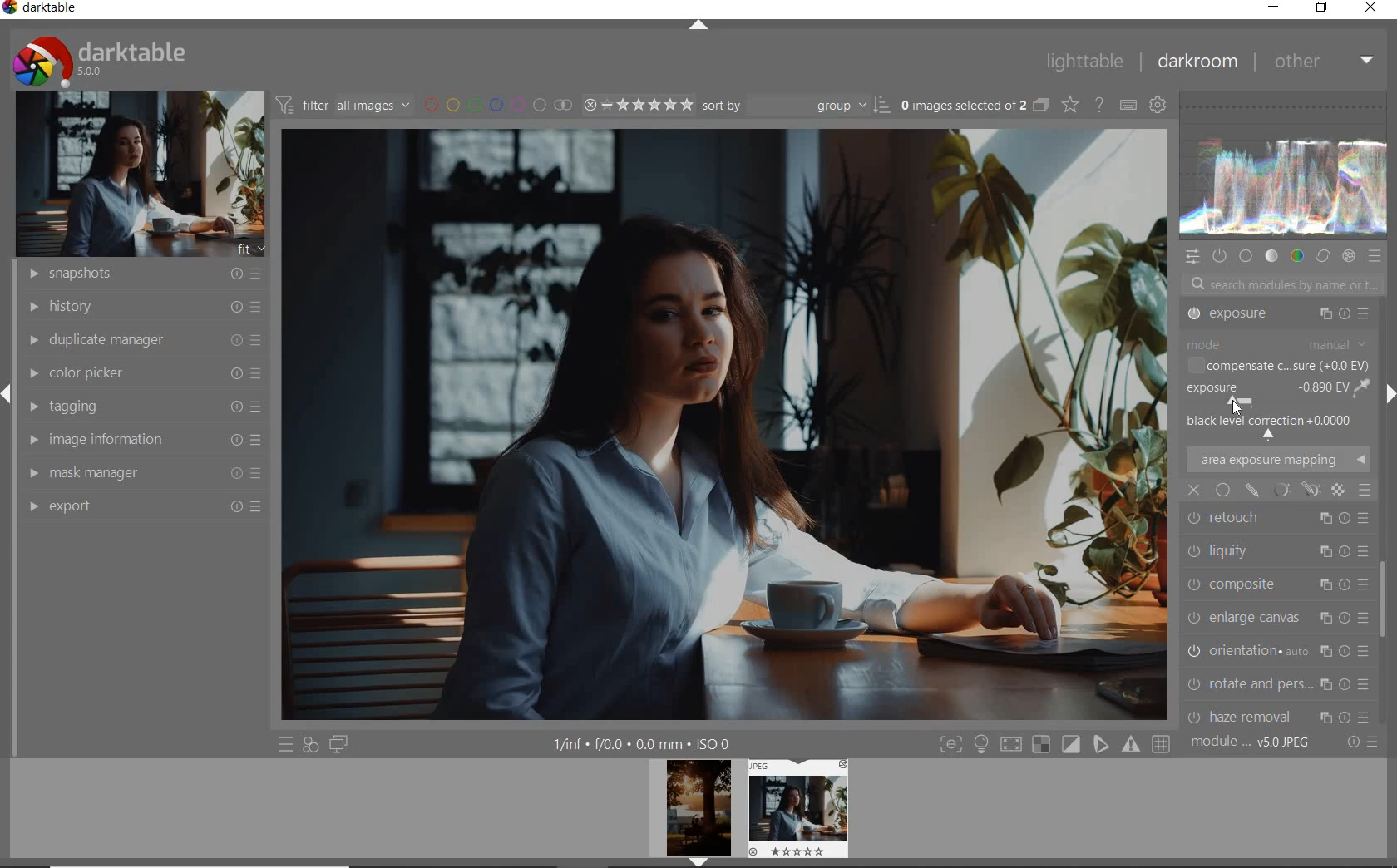  What do you see at coordinates (1069, 104) in the screenshot?
I see `CHANGE TYPE OF OVERRELAY` at bounding box center [1069, 104].